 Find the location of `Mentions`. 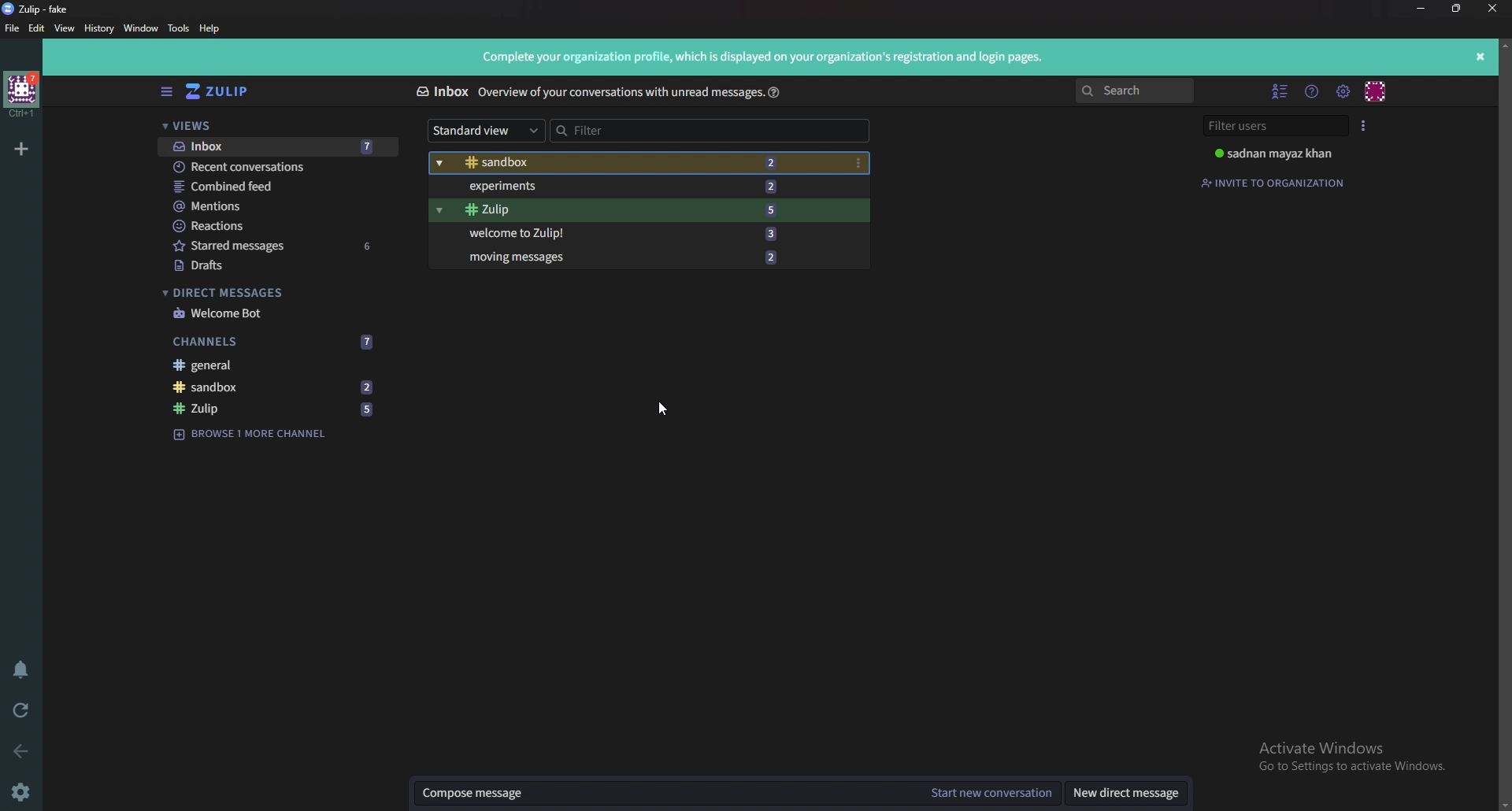

Mentions is located at coordinates (279, 207).